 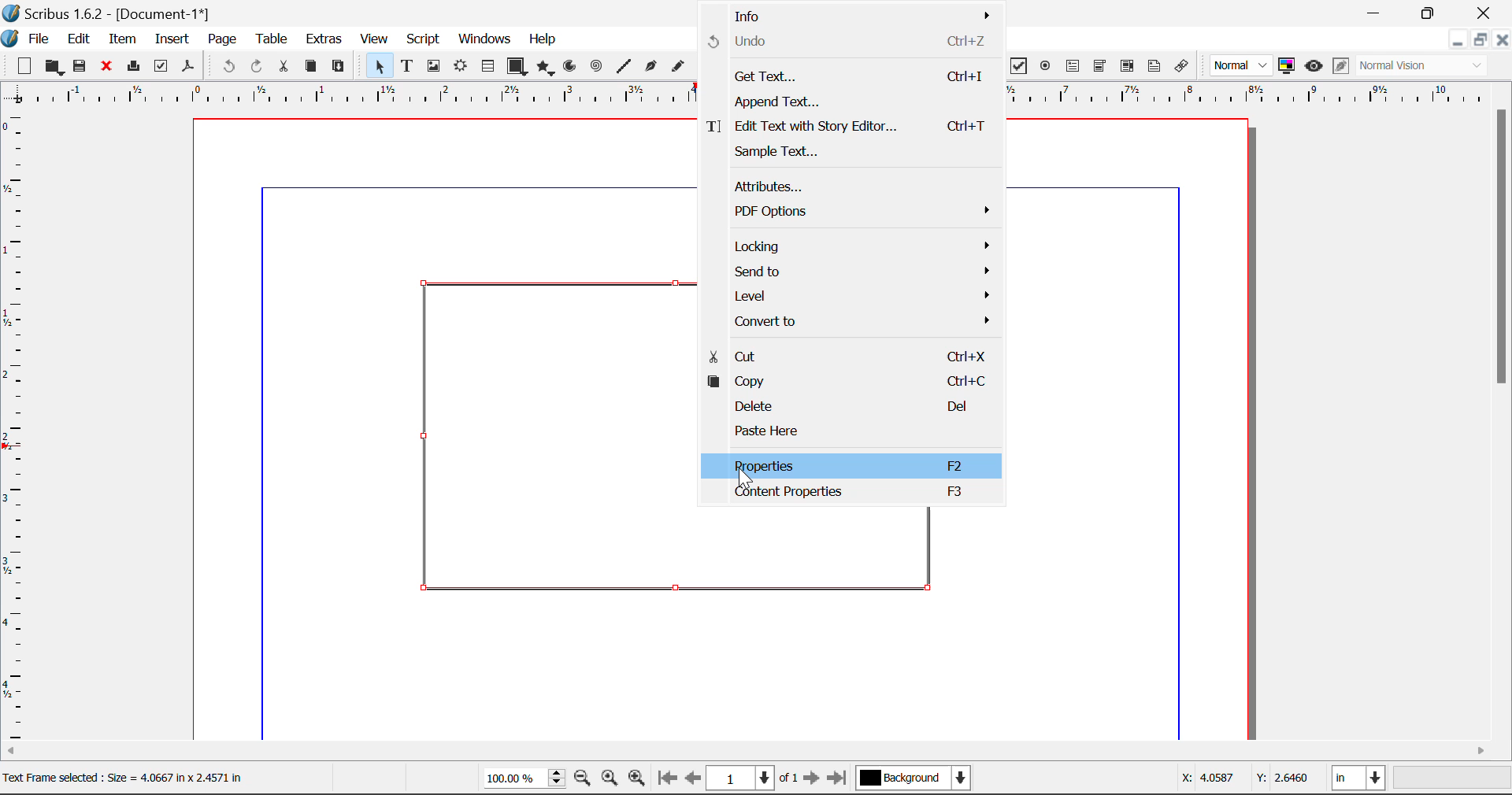 I want to click on Horizontal Page Margins, so click(x=17, y=427).